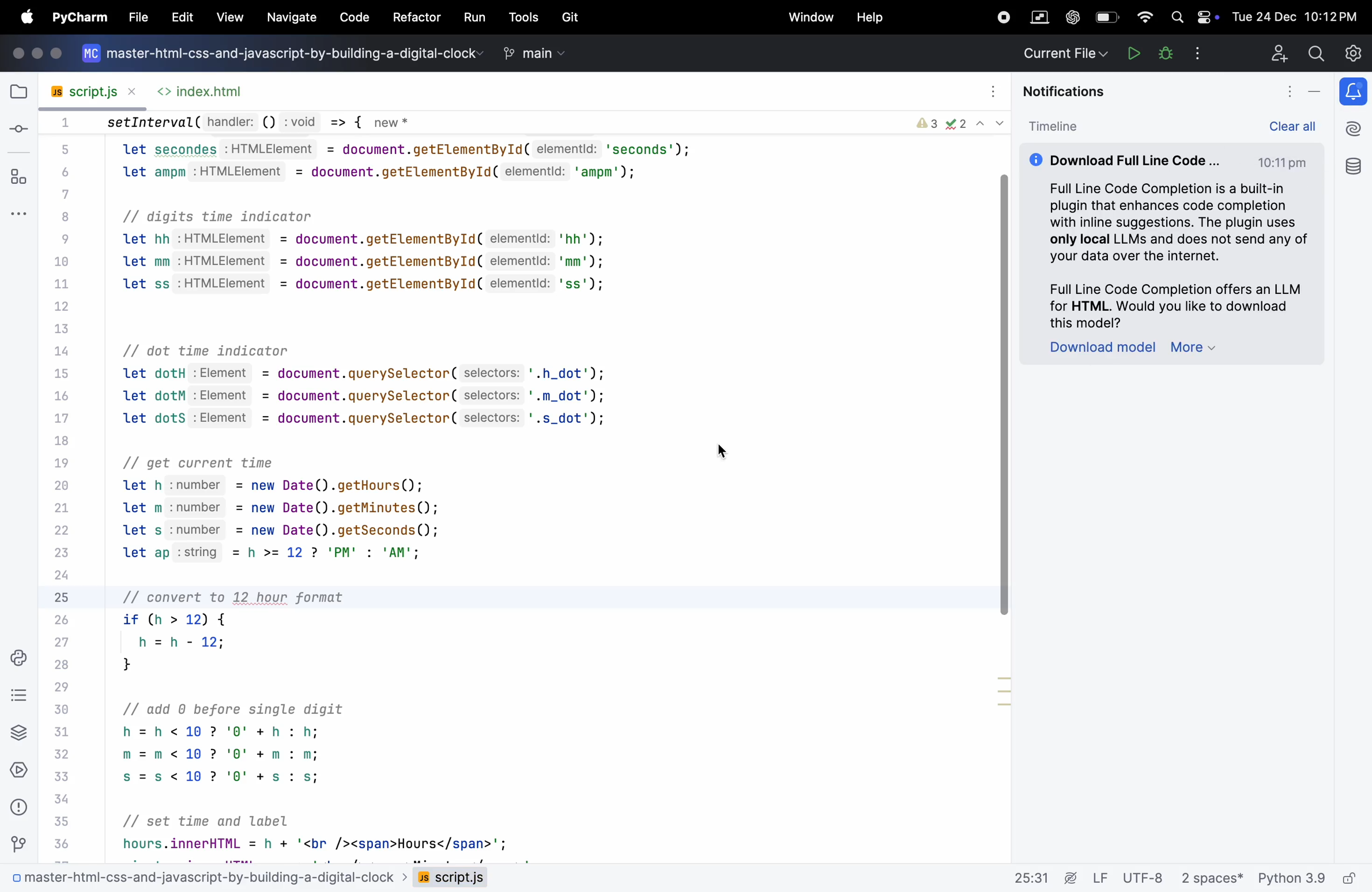  I want to click on run, so click(476, 18).